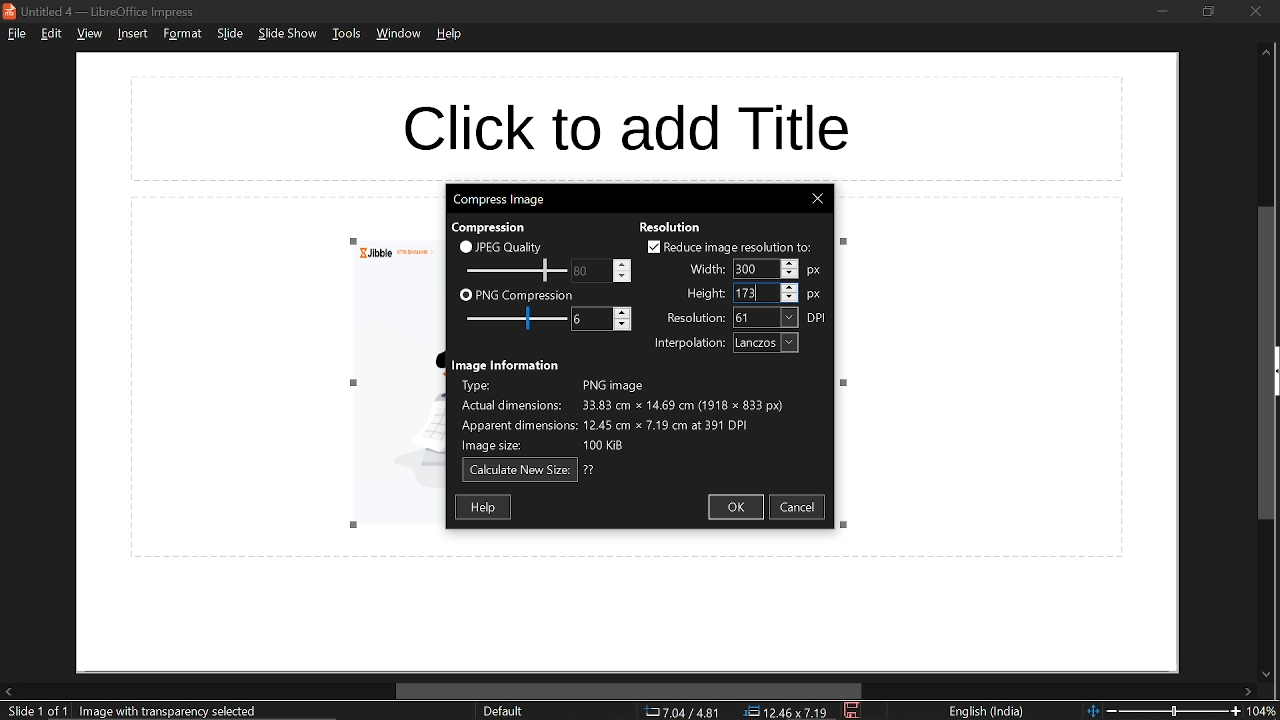  I want to click on move up, so click(1266, 56).